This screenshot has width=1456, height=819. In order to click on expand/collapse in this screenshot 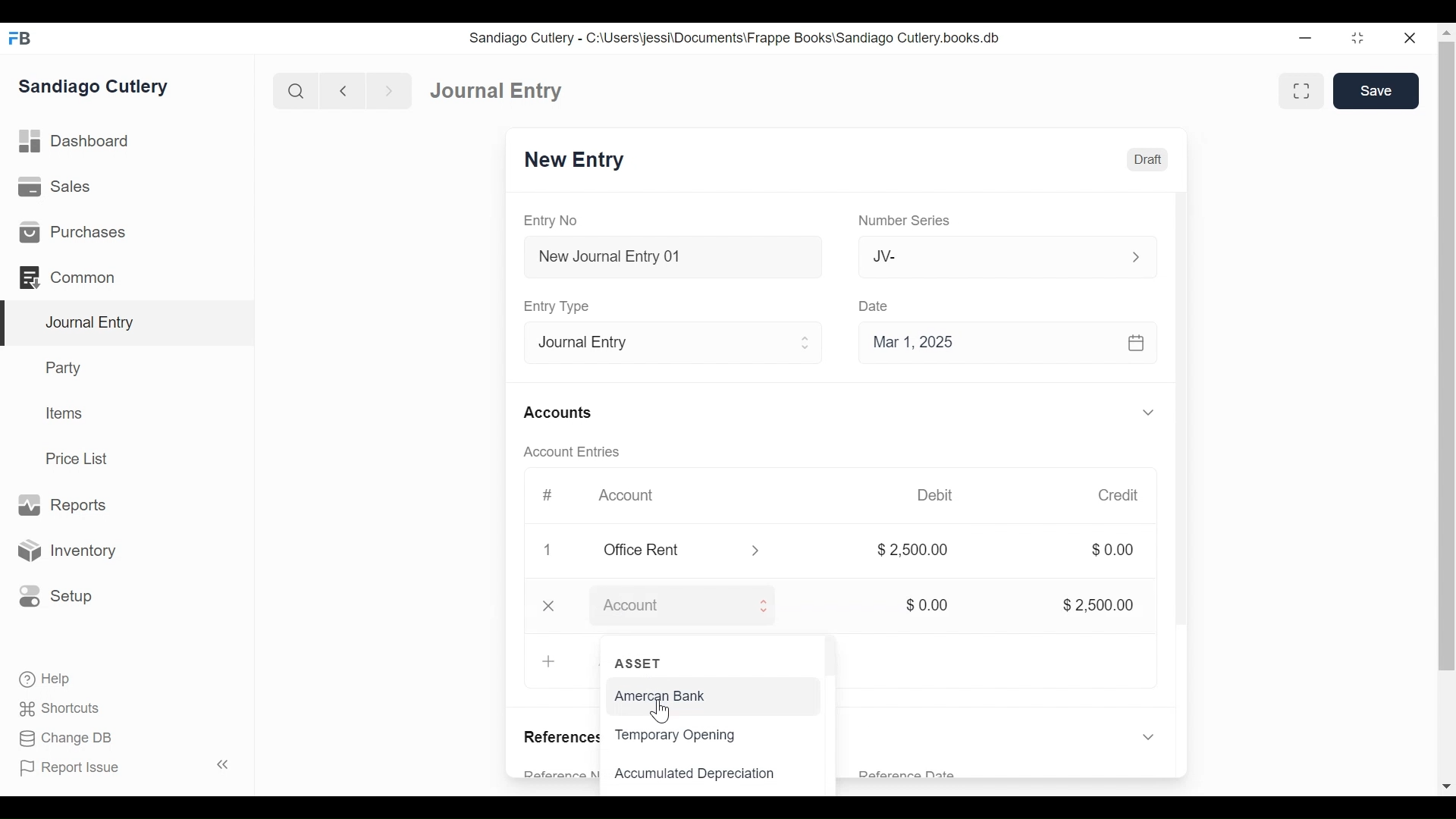, I will do `click(1151, 413)`.